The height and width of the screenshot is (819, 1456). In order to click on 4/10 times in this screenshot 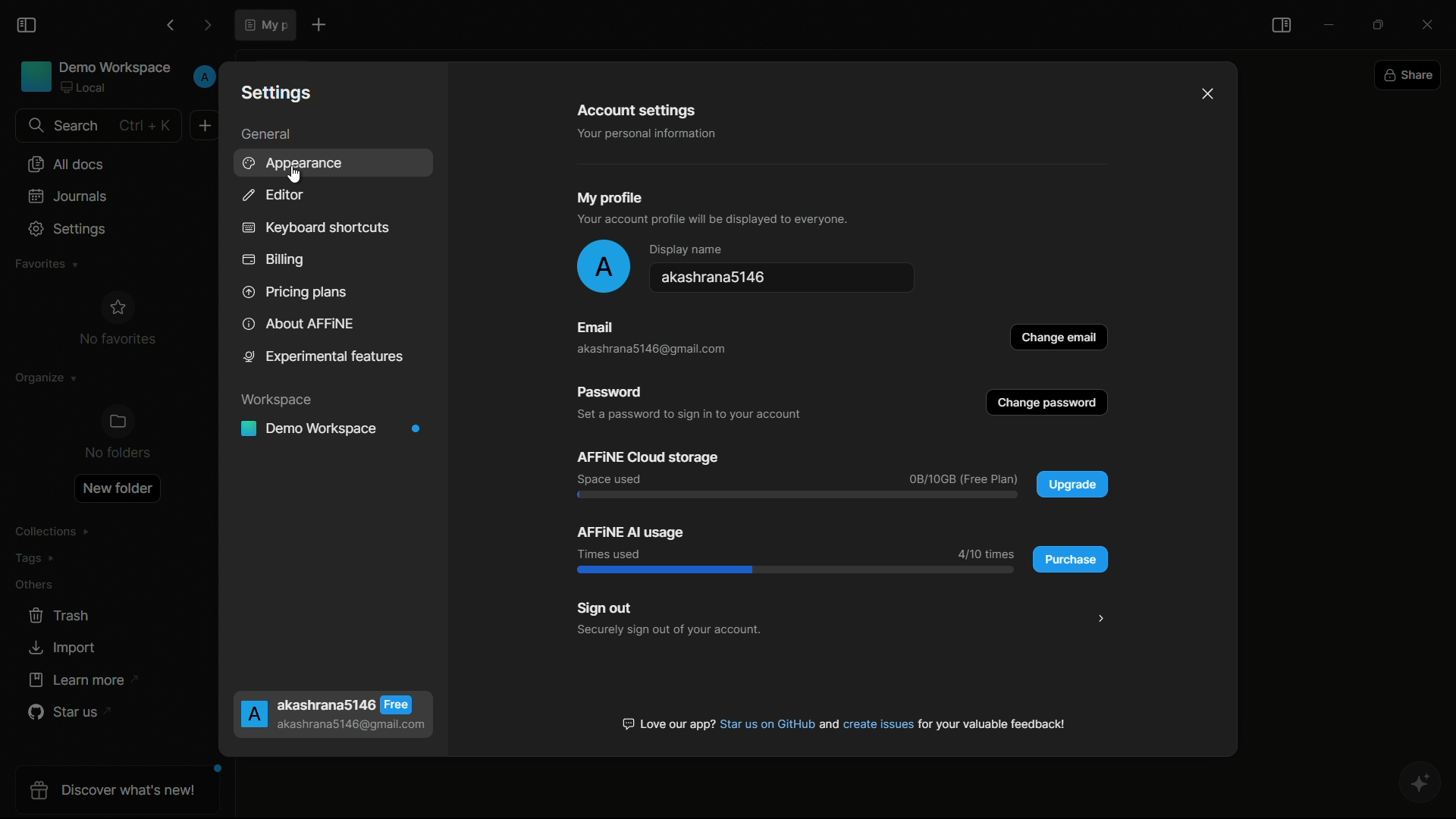, I will do `click(985, 551)`.